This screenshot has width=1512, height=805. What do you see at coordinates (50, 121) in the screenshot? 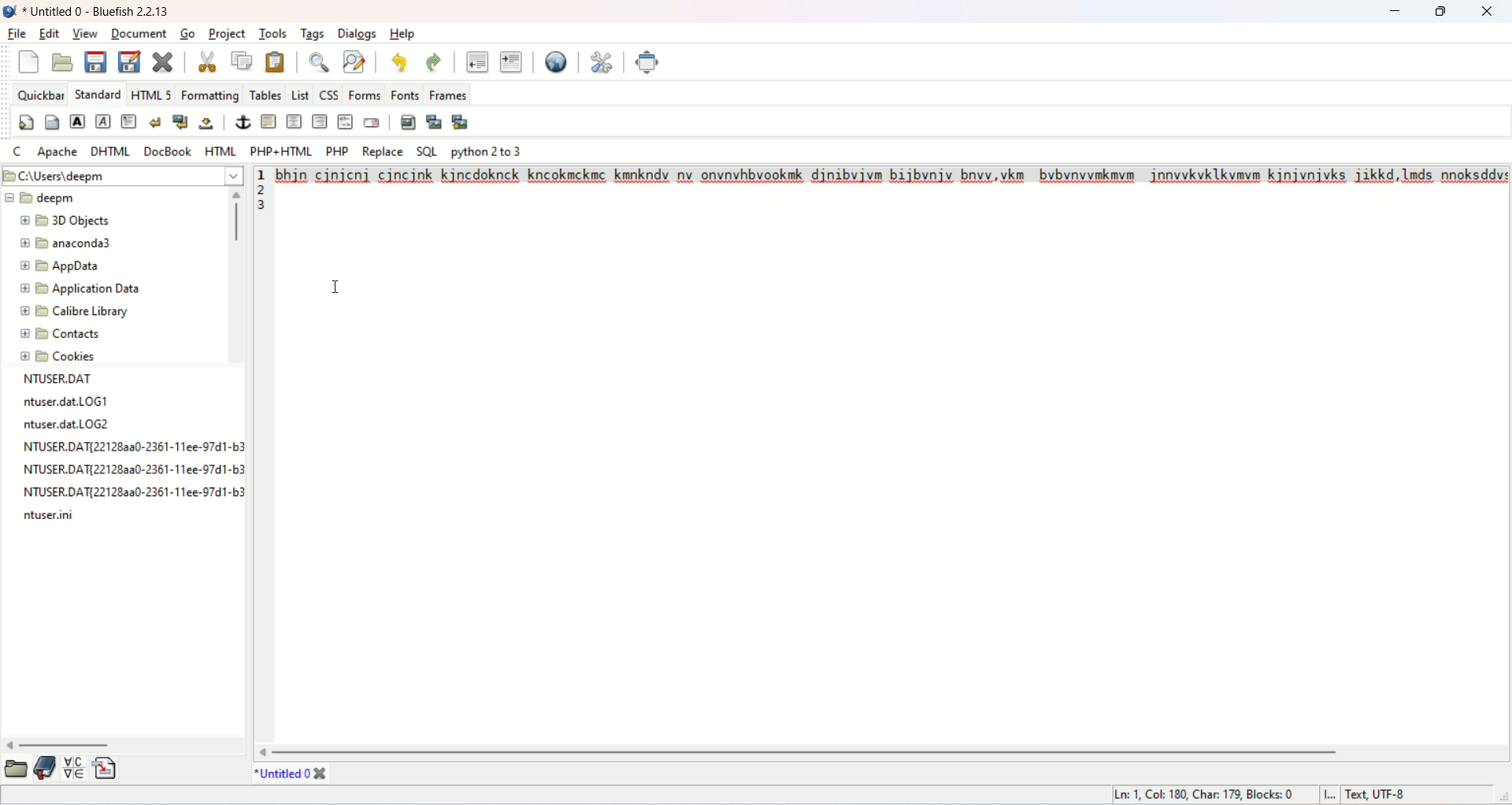
I see `body` at bounding box center [50, 121].